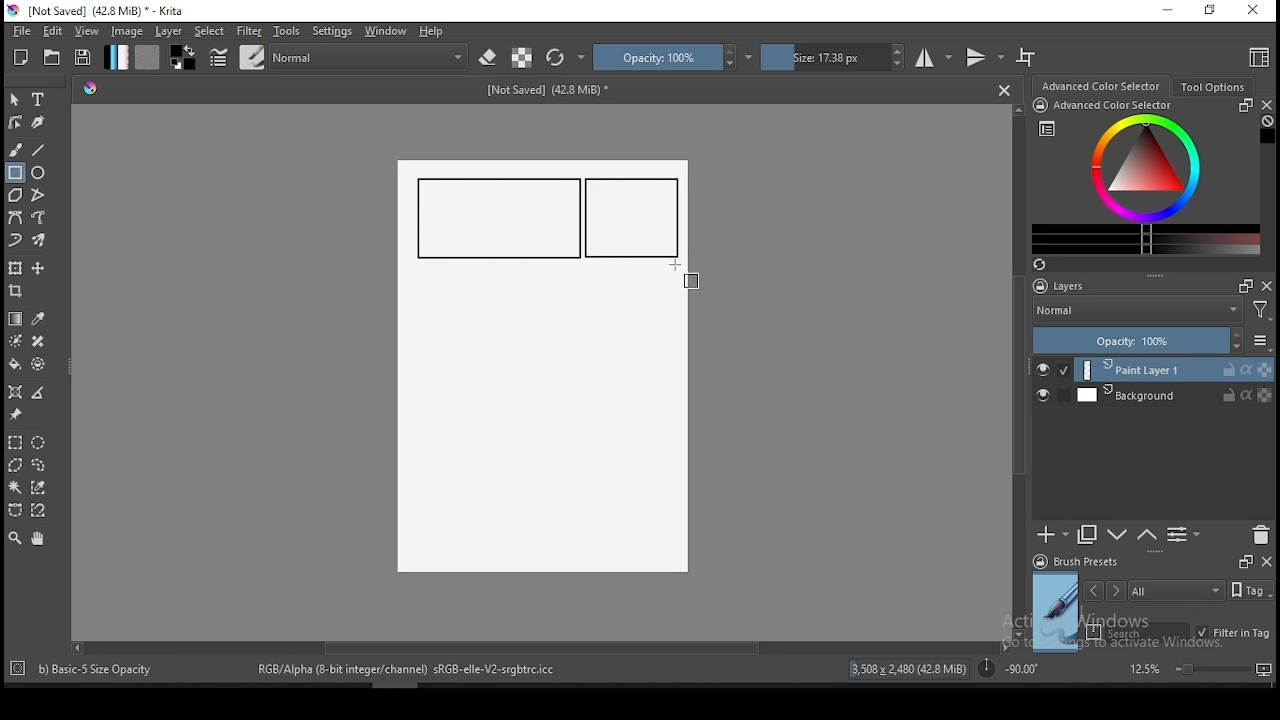 The width and height of the screenshot is (1280, 720). Describe the element at coordinates (15, 99) in the screenshot. I see `select shapes tool` at that location.